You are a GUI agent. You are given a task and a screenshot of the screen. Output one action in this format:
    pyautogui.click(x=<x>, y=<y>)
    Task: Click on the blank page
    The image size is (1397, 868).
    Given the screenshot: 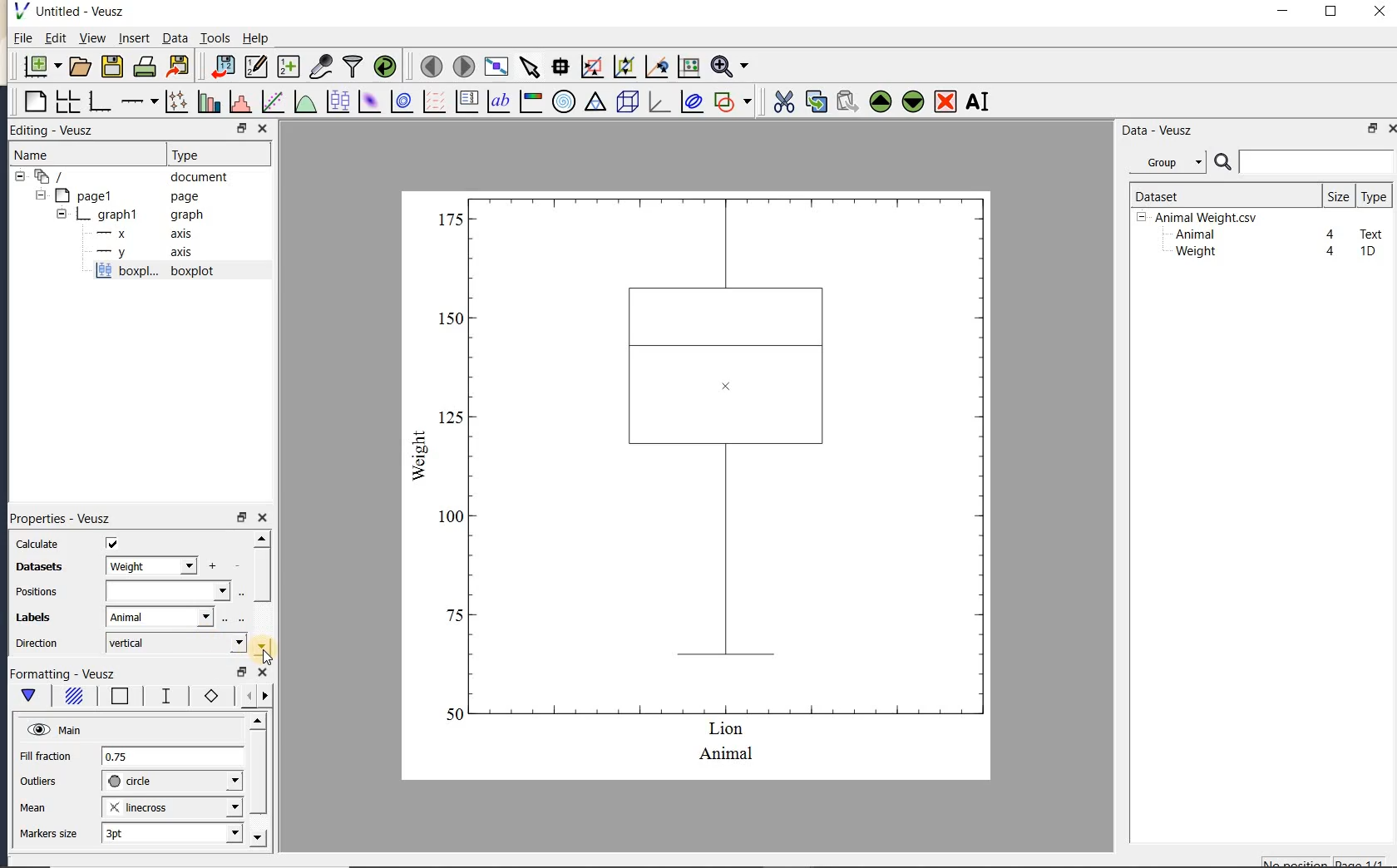 What is the action you would take?
    pyautogui.click(x=33, y=102)
    